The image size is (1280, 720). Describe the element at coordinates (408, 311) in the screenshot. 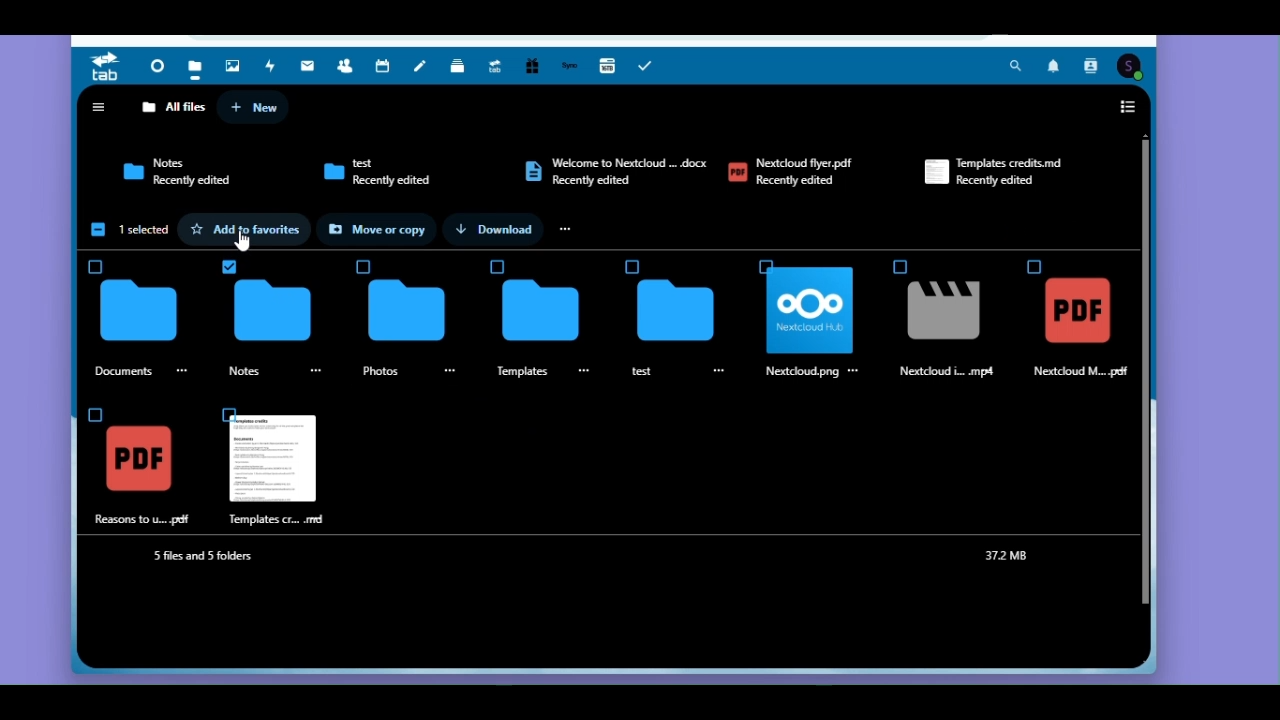

I see `Icon` at that location.